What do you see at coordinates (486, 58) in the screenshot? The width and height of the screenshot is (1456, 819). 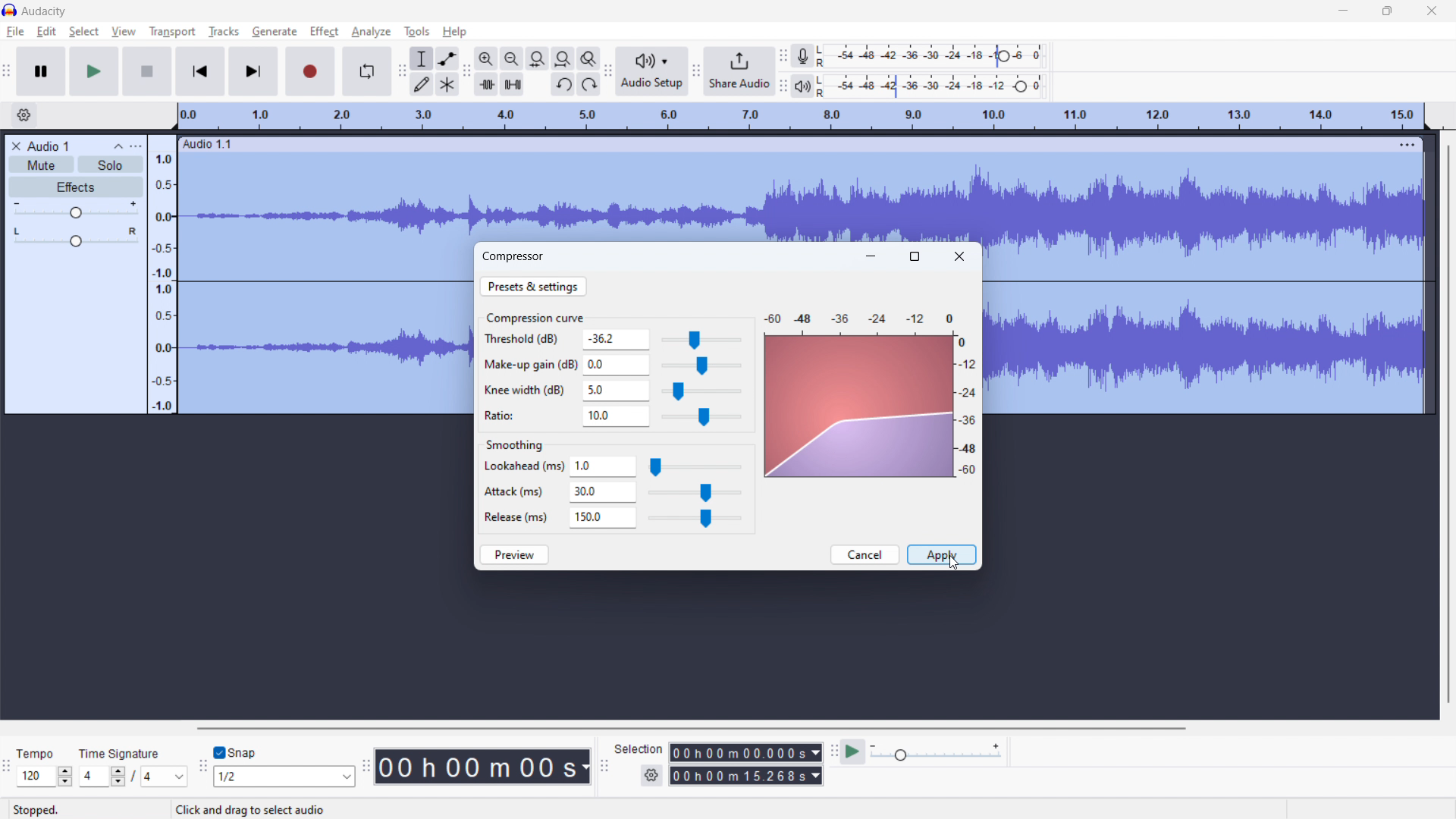 I see `zoom in` at bounding box center [486, 58].